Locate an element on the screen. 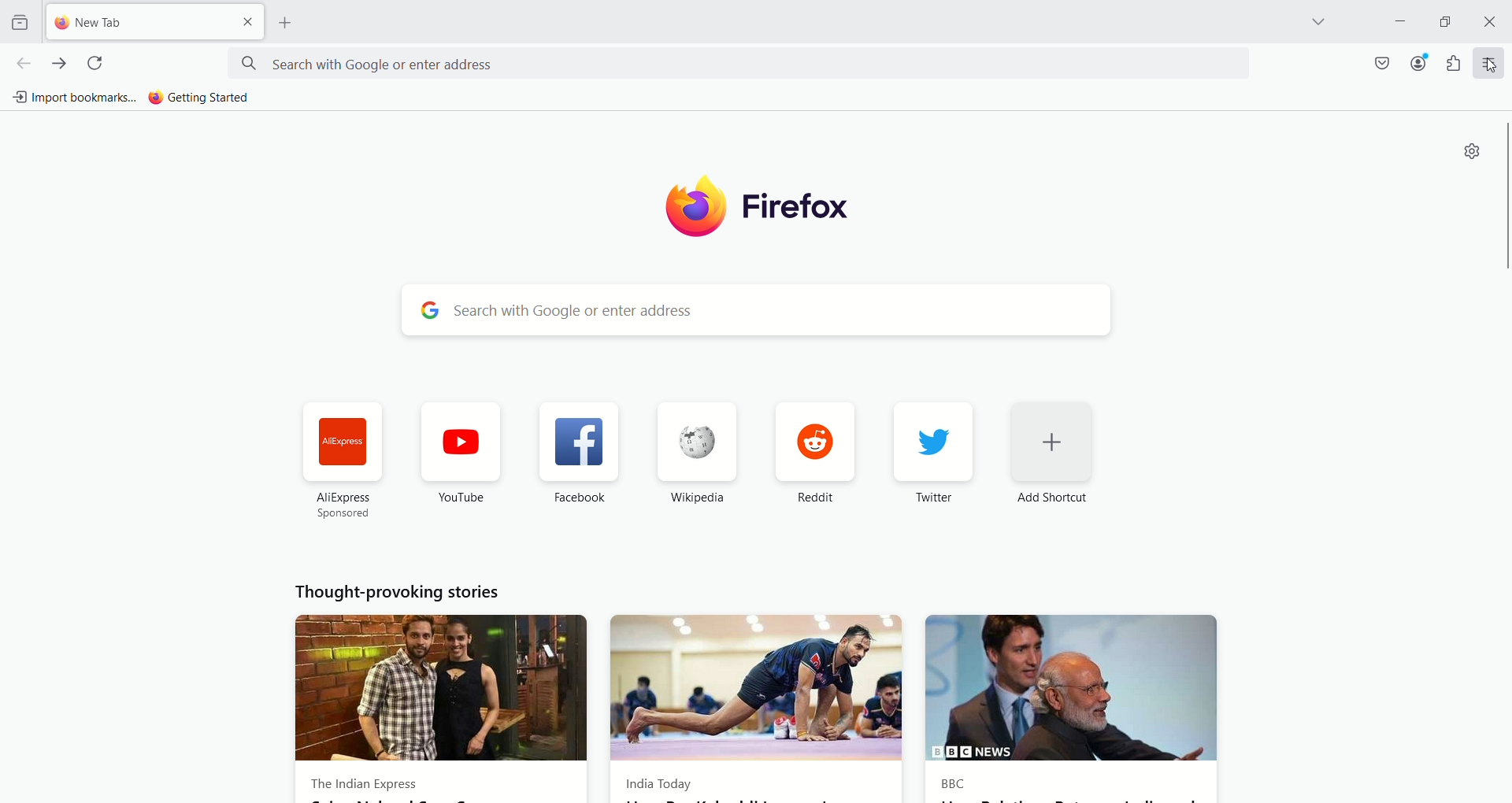 Image resolution: width=1512 pixels, height=803 pixels. logo is located at coordinates (691, 208).